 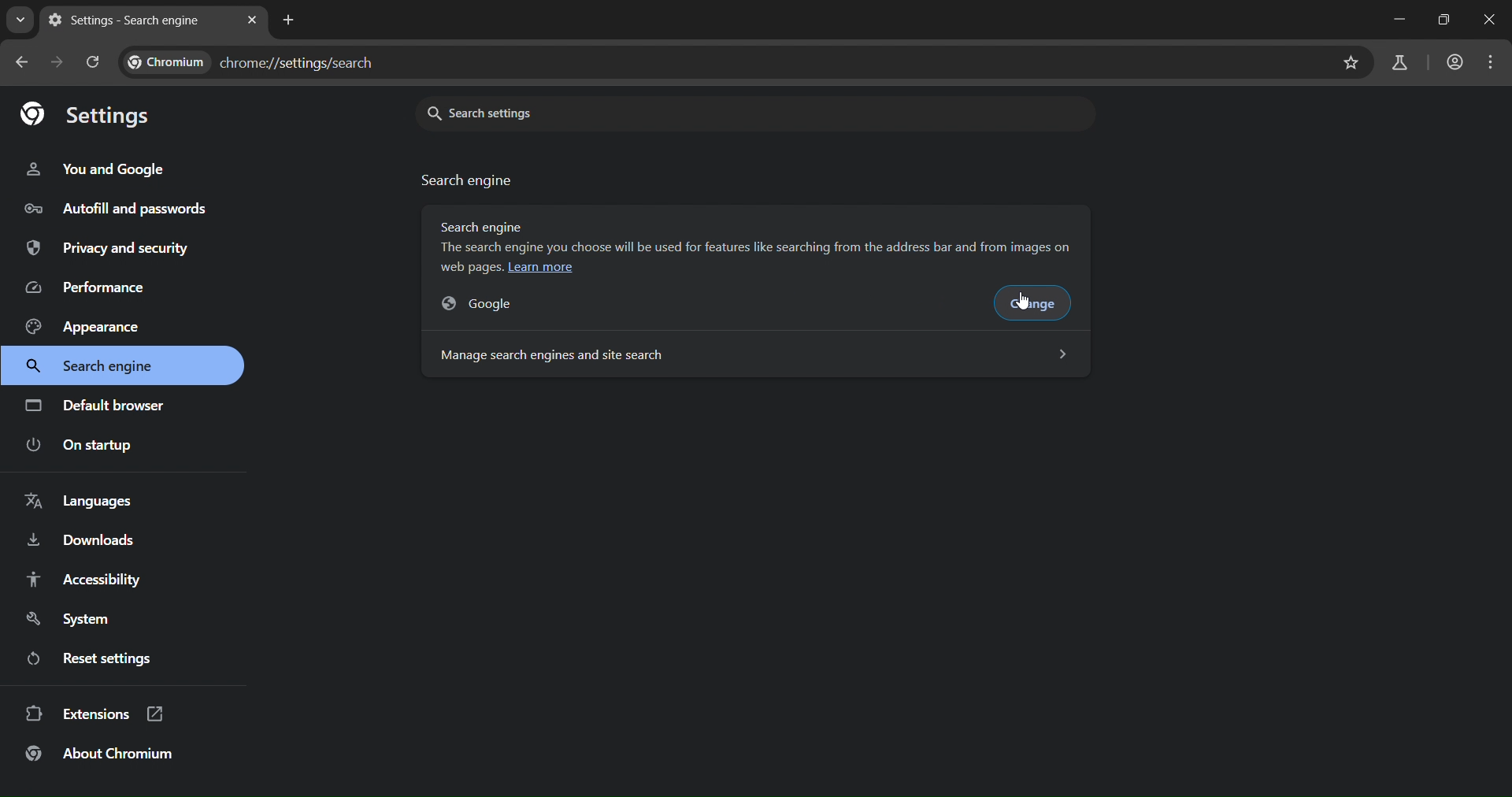 I want to click on search tabs, so click(x=20, y=23).